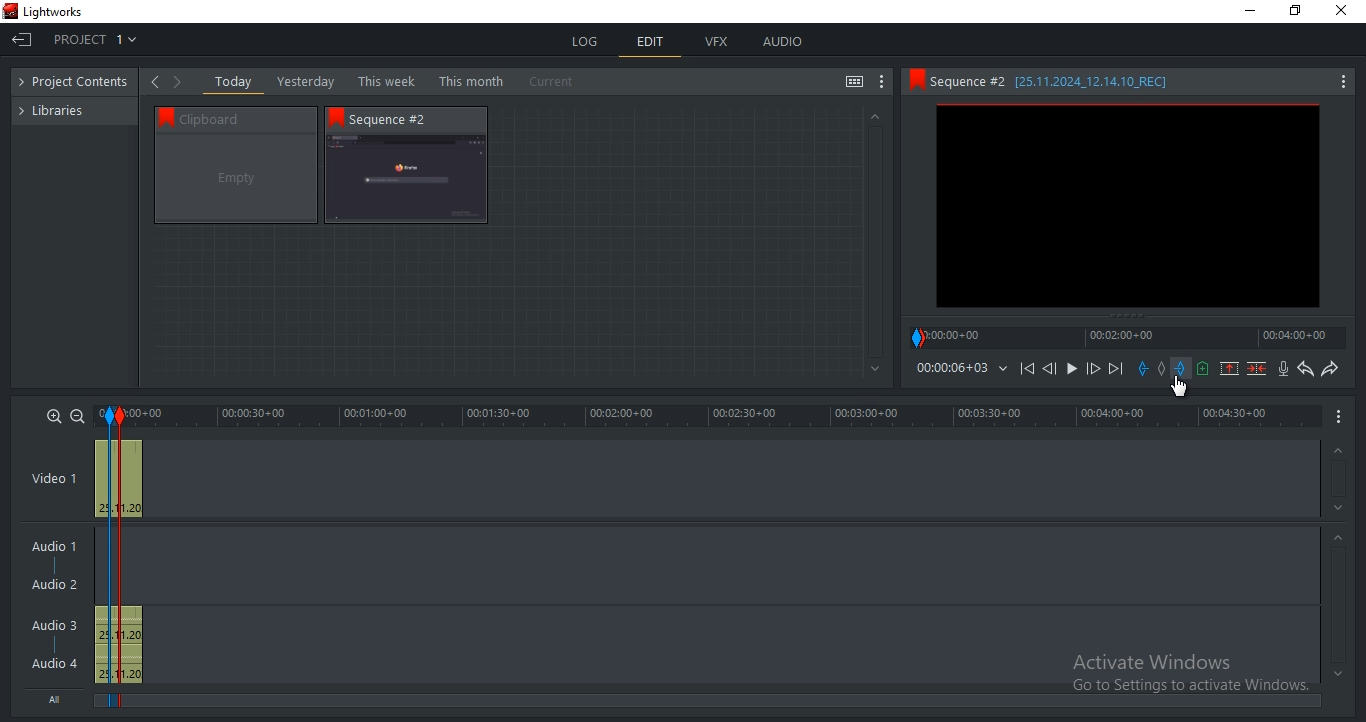 Image resolution: width=1366 pixels, height=722 pixels. Describe the element at coordinates (54, 585) in the screenshot. I see `Audio 2` at that location.